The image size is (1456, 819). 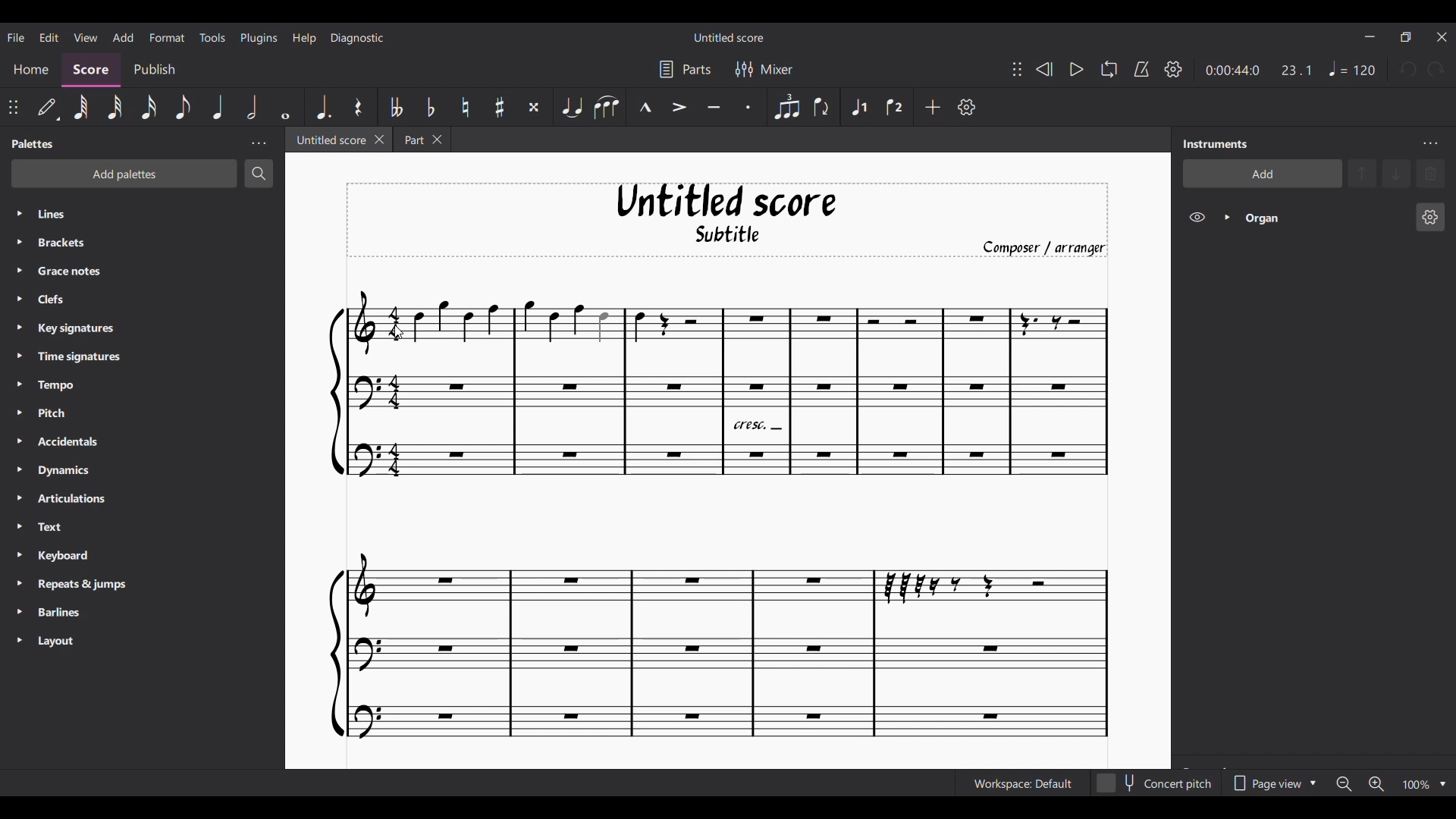 I want to click on Panel title, so click(x=1216, y=143).